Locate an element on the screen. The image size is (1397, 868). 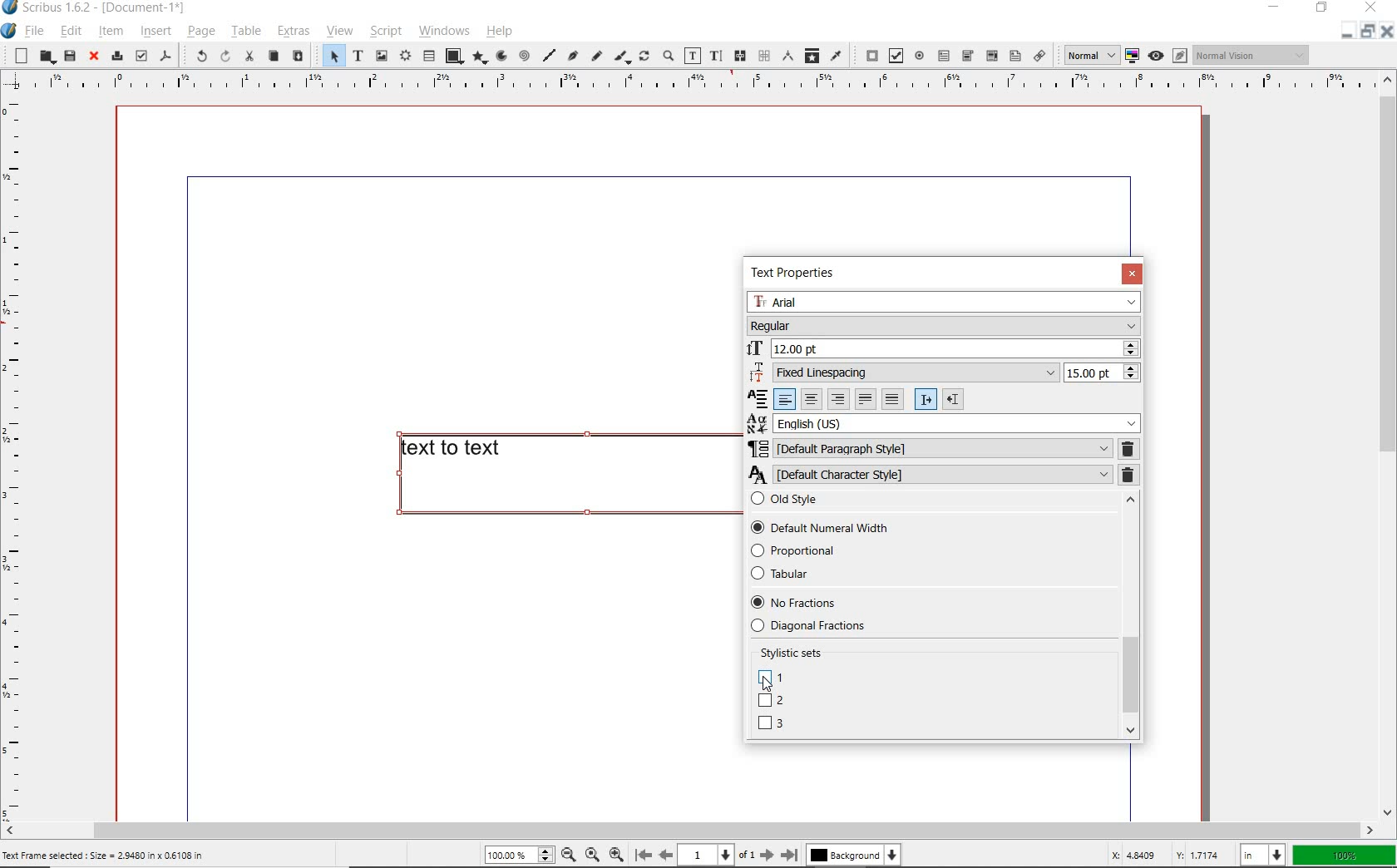
edit contents of frame is located at coordinates (693, 57).